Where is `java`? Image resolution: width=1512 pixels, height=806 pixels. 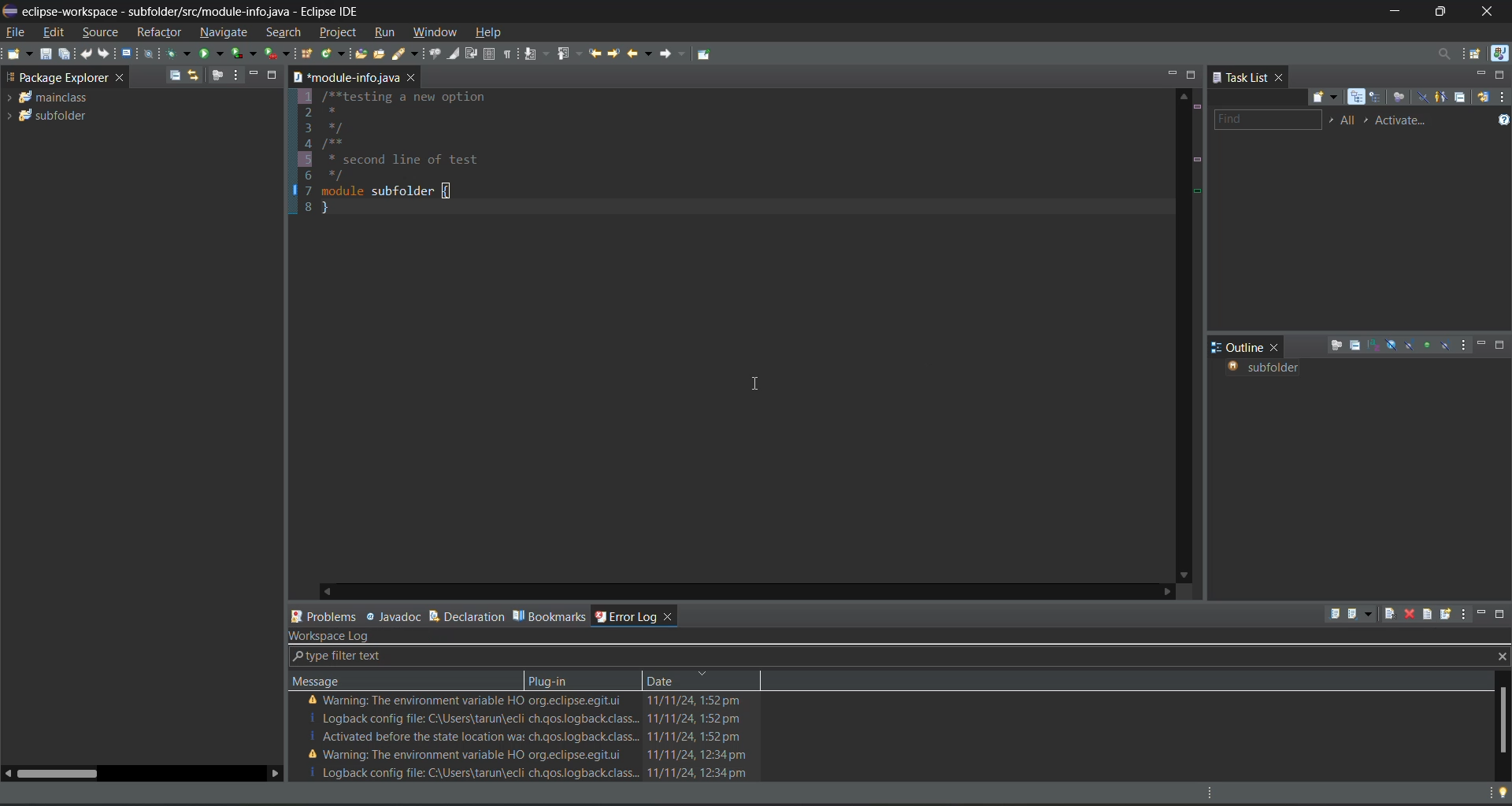 java is located at coordinates (1501, 55).